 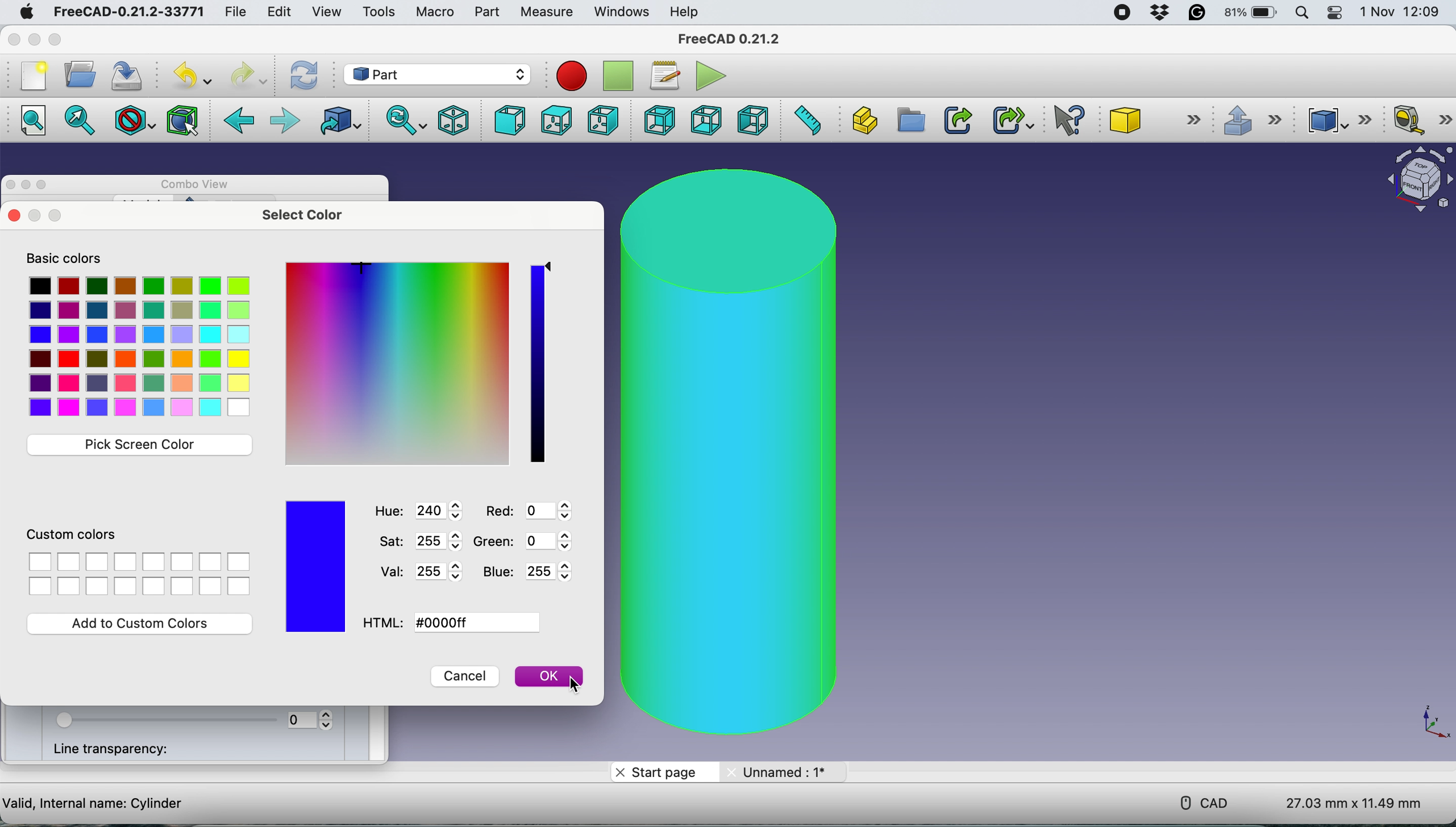 I want to click on cylinder, so click(x=722, y=453).